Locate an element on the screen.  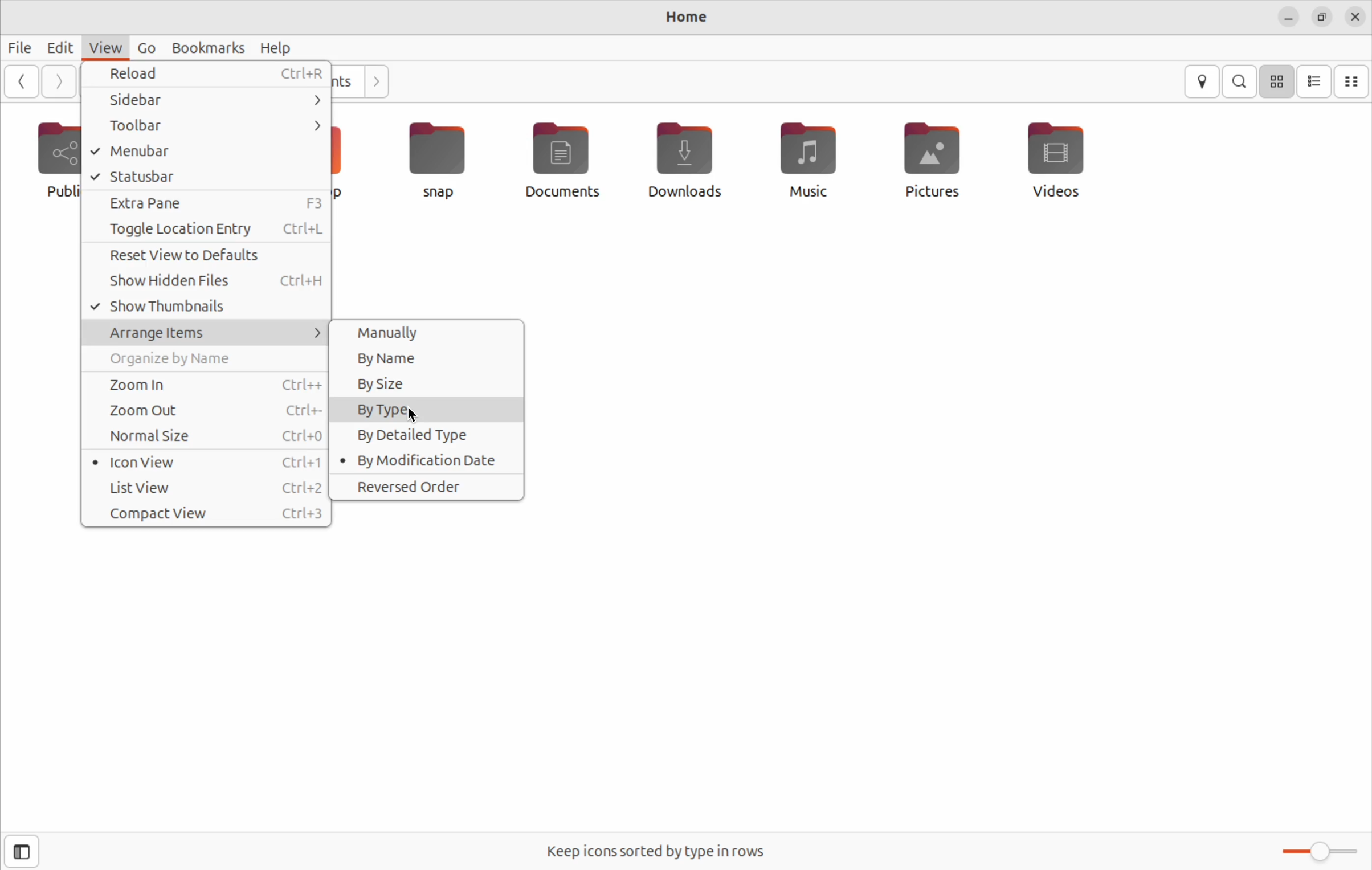
location is located at coordinates (1199, 83).